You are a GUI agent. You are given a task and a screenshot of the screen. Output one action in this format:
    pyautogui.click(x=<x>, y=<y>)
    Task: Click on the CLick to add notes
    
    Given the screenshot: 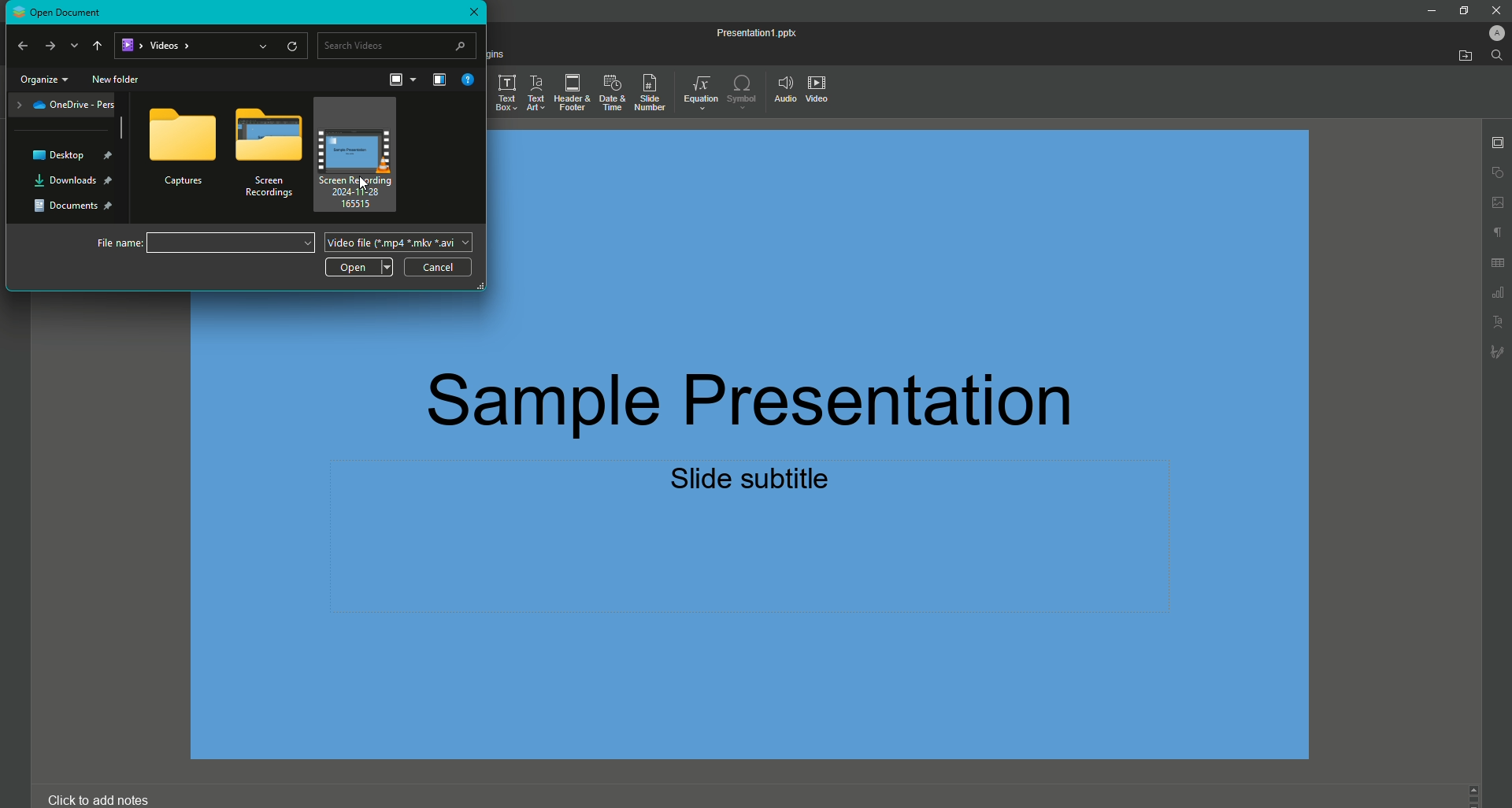 What is the action you would take?
    pyautogui.click(x=97, y=798)
    